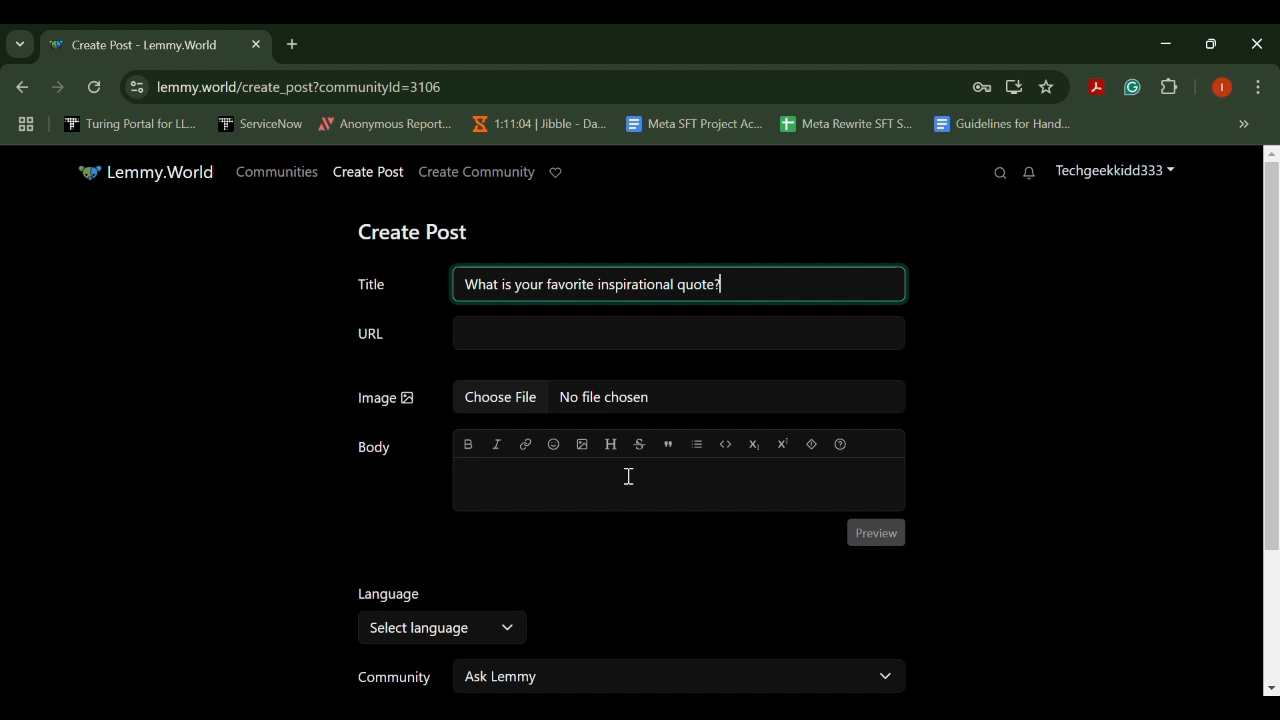 Image resolution: width=1280 pixels, height=720 pixels. Describe the element at coordinates (417, 229) in the screenshot. I see `Create Post` at that location.